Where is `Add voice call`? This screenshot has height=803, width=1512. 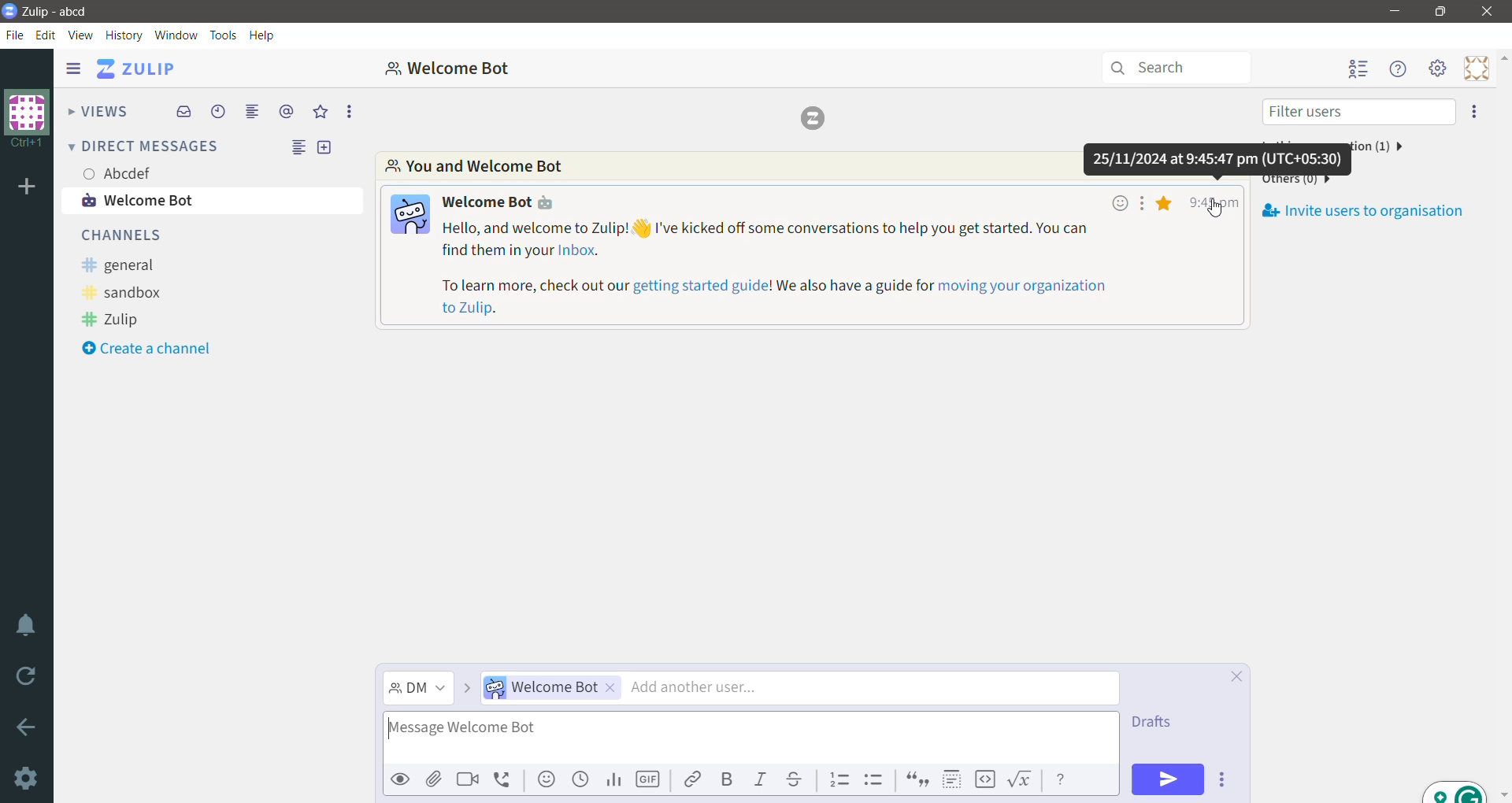
Add voice call is located at coordinates (504, 779).